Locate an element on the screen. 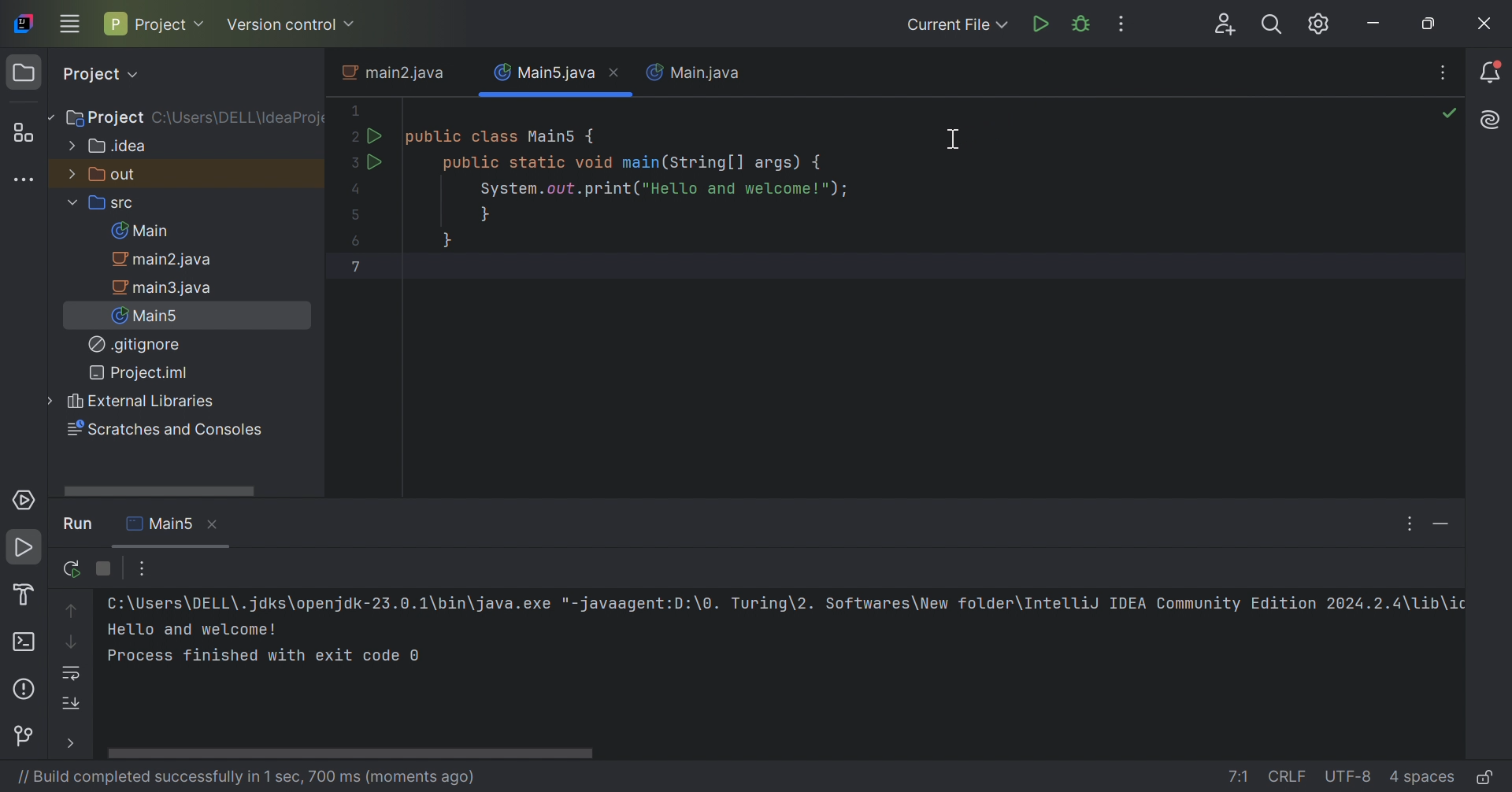 This screenshot has height=792, width=1512. } is located at coordinates (451, 242).